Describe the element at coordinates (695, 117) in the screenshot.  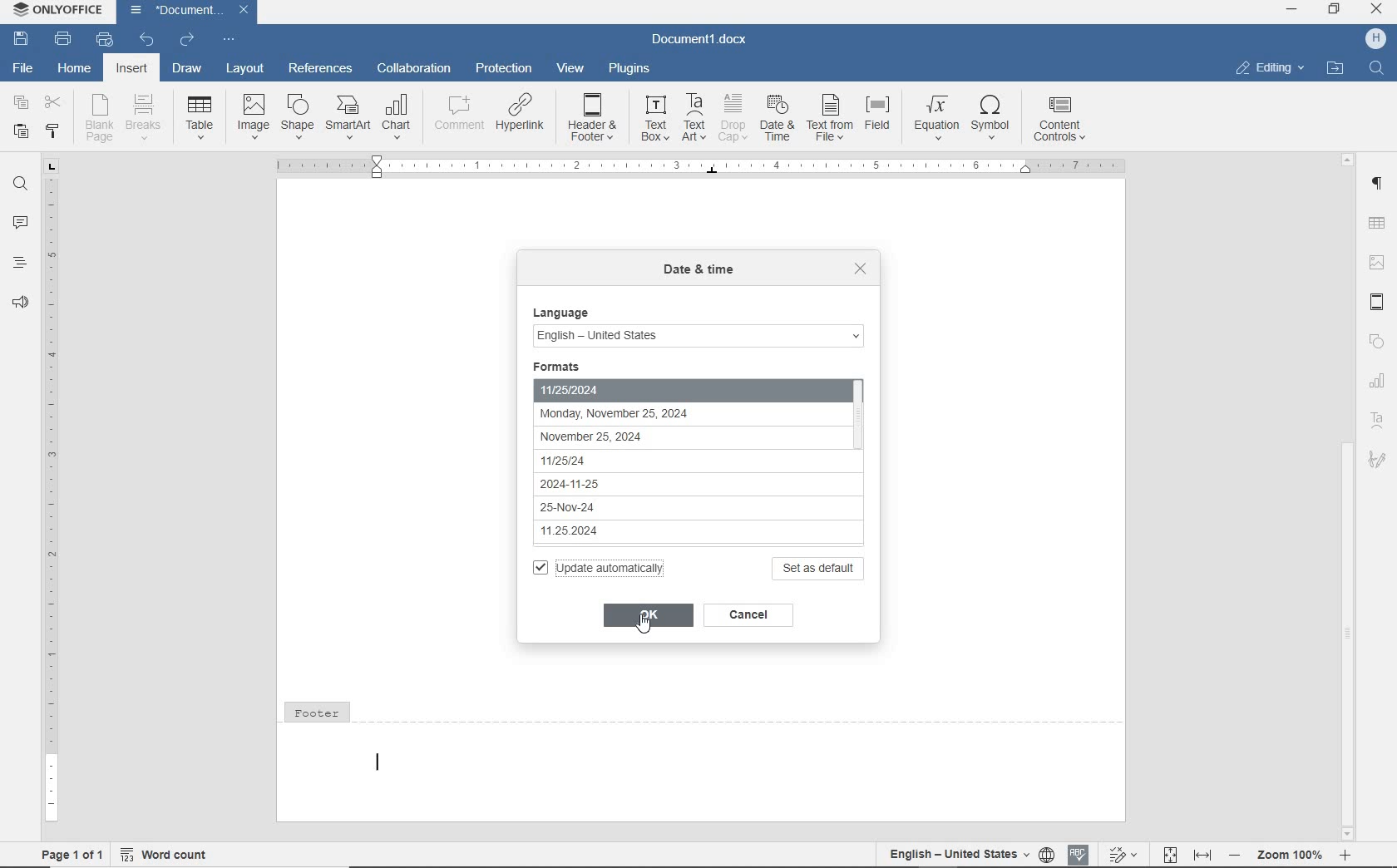
I see `text art` at that location.